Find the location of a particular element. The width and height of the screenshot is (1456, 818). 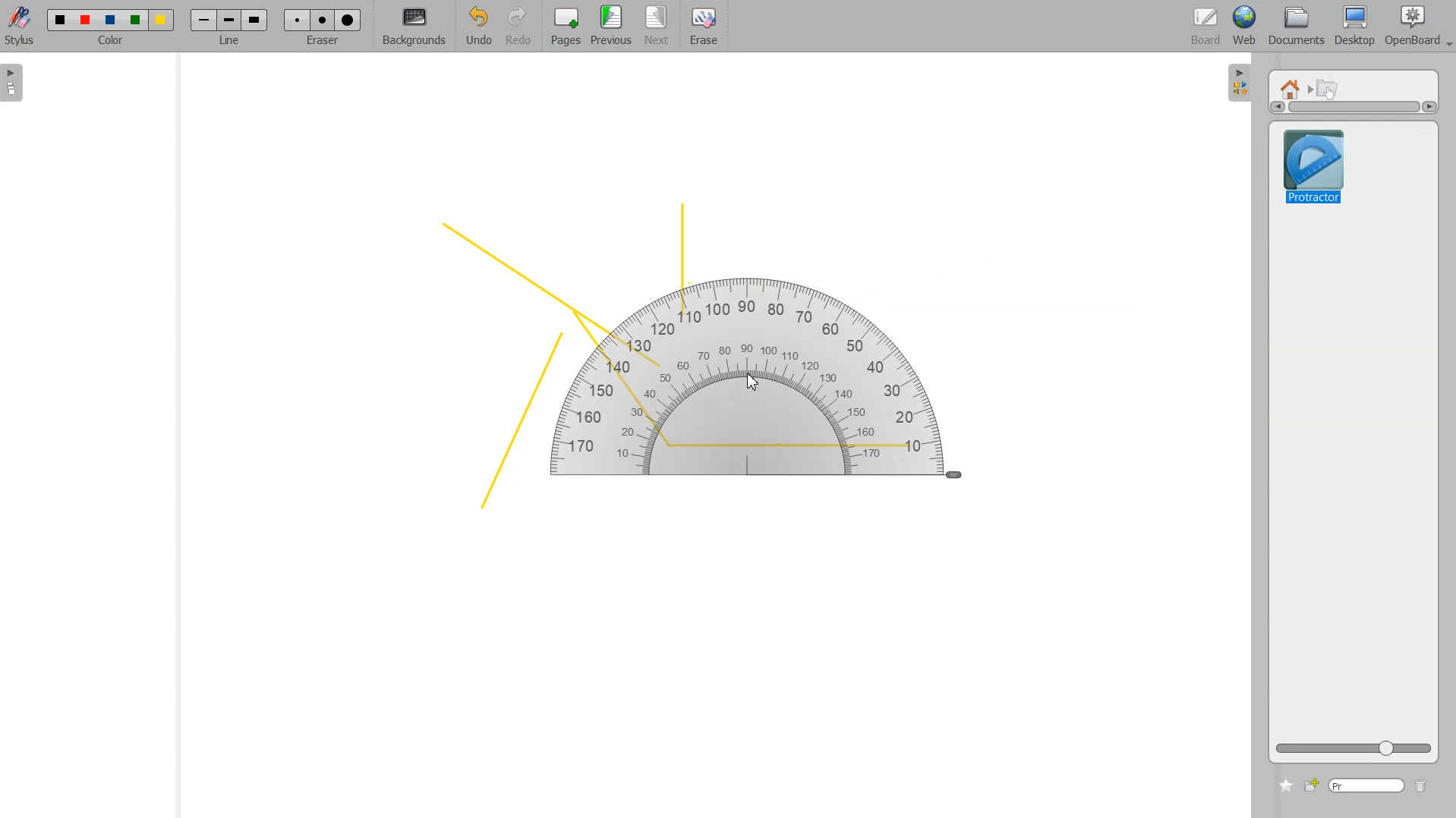

Interactive is located at coordinates (1328, 88).